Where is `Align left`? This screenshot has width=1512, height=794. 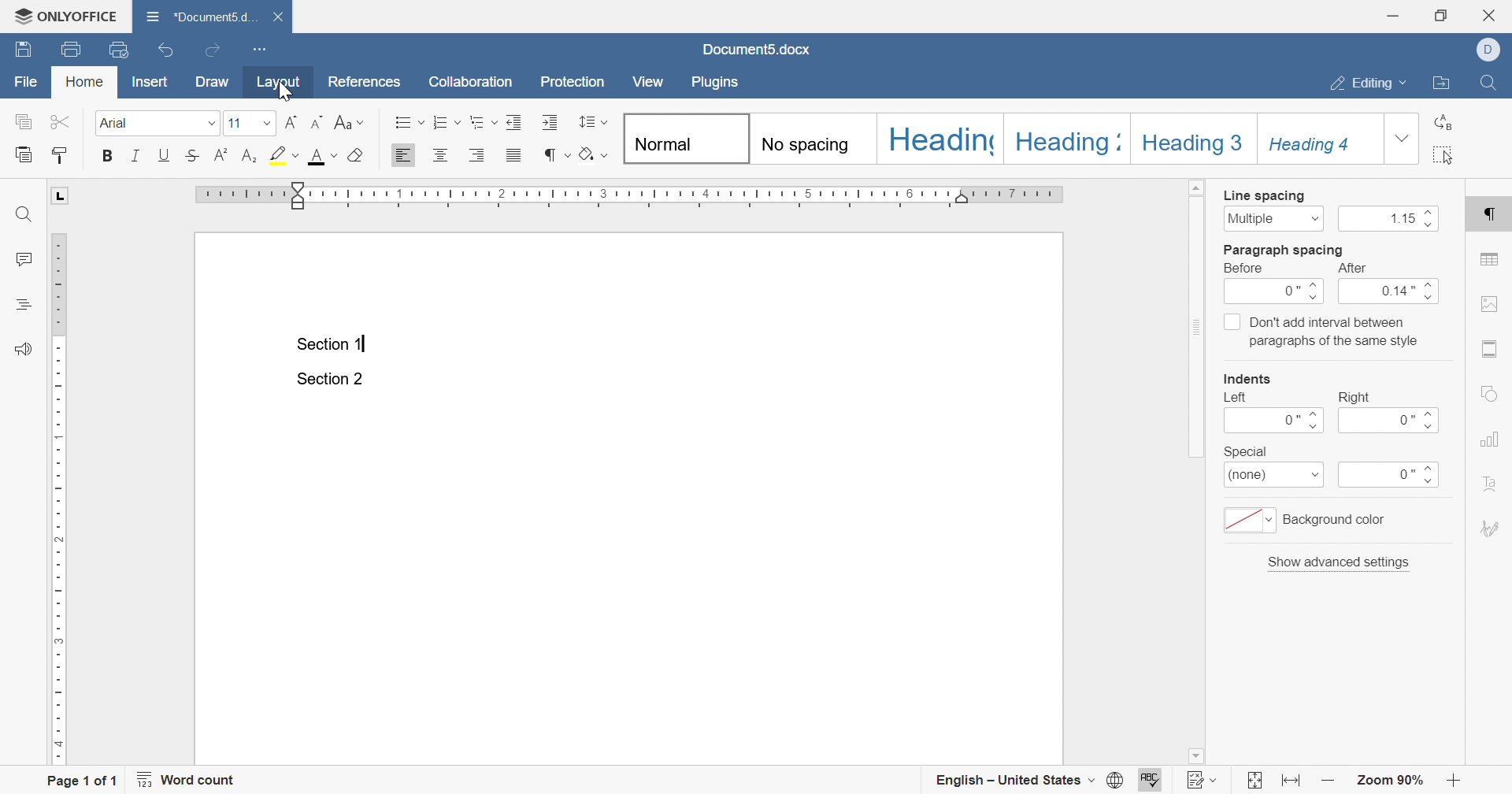
Align left is located at coordinates (406, 155).